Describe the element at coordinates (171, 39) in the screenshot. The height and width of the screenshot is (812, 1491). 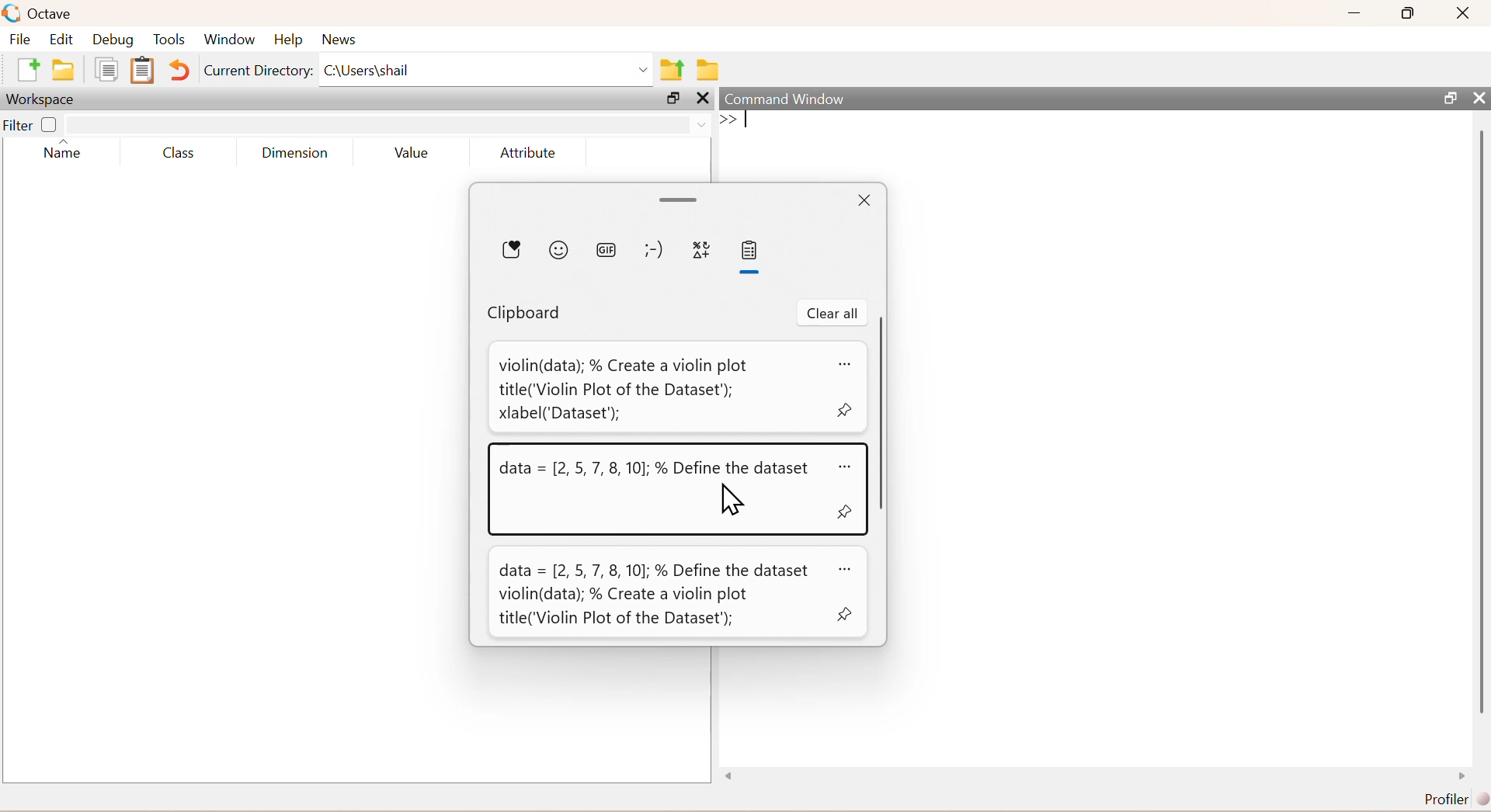
I see `tools` at that location.